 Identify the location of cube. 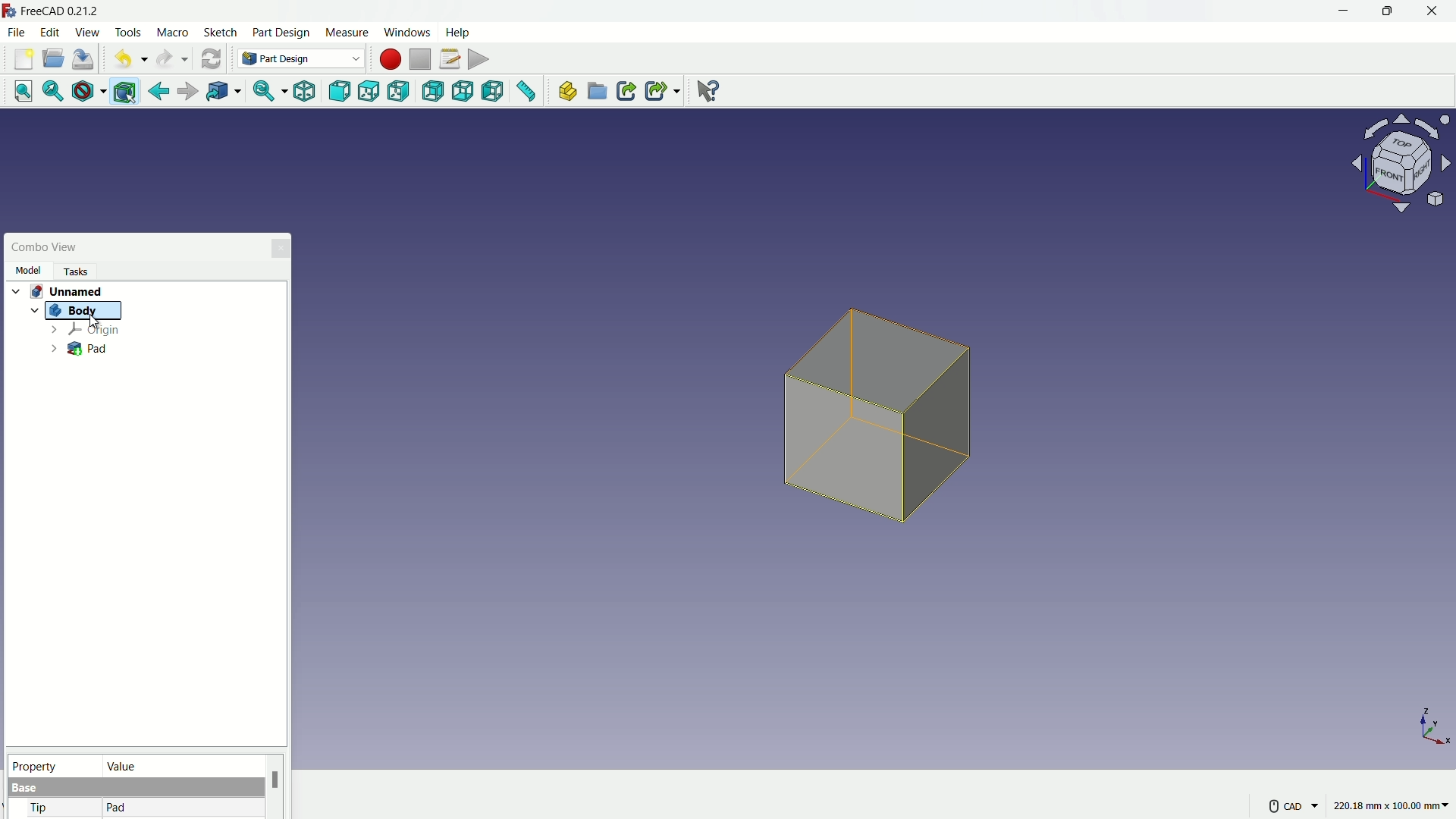
(882, 423).